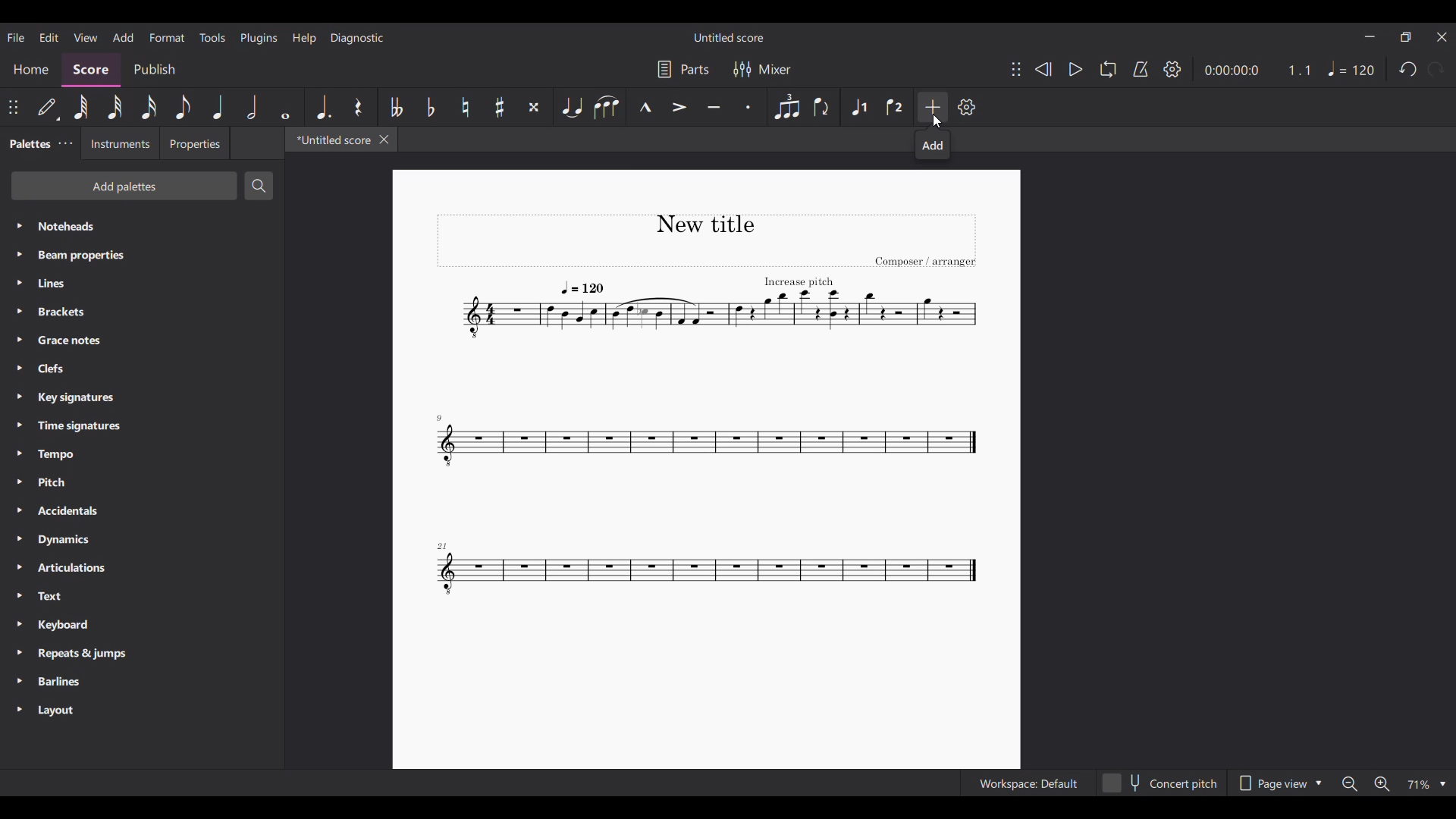 Image resolution: width=1456 pixels, height=819 pixels. What do you see at coordinates (141, 540) in the screenshot?
I see `Dynamics` at bounding box center [141, 540].